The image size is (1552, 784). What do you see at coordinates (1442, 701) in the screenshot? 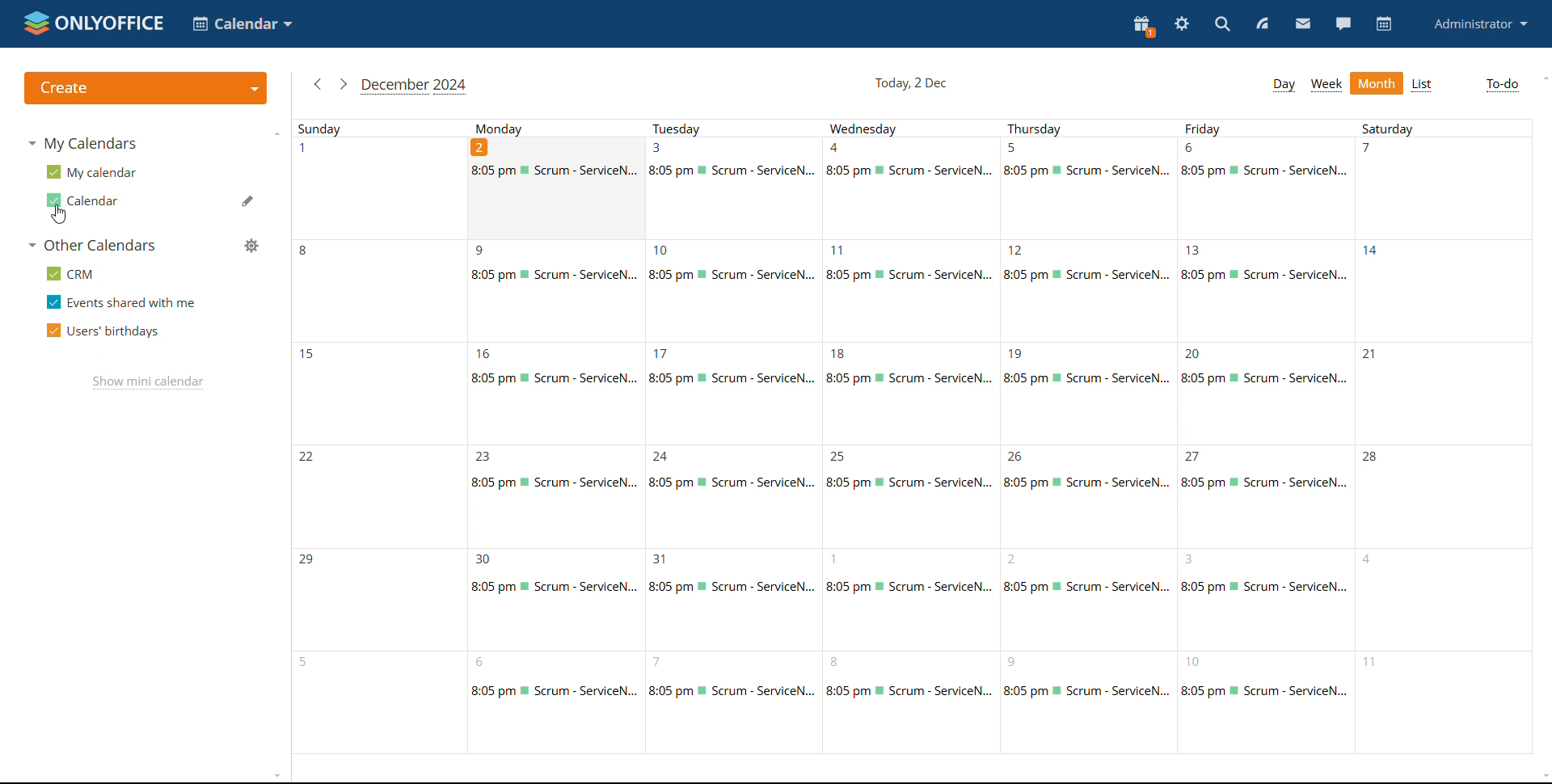
I see `11` at bounding box center [1442, 701].